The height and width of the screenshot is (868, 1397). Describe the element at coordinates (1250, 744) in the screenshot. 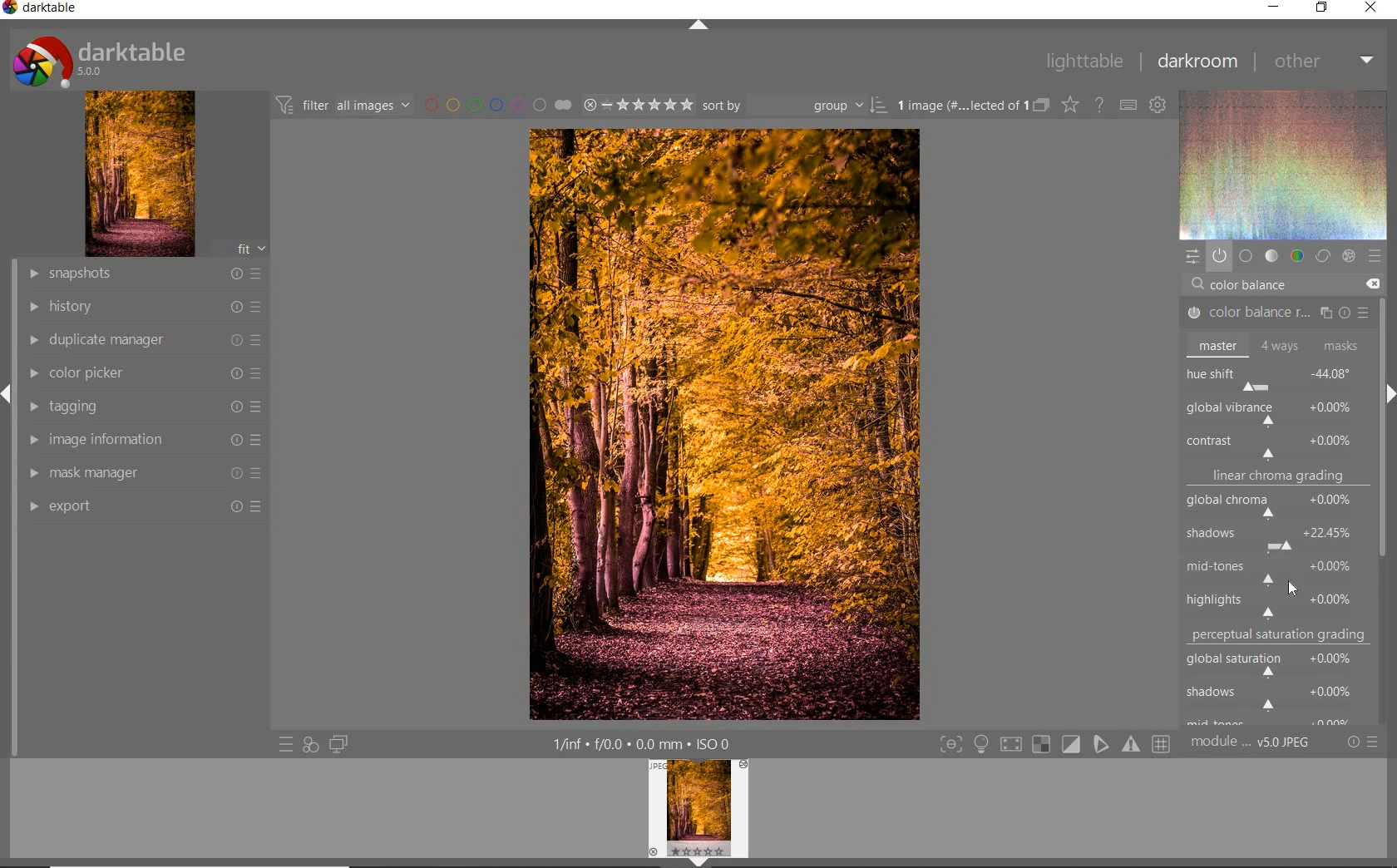

I see `module order` at that location.